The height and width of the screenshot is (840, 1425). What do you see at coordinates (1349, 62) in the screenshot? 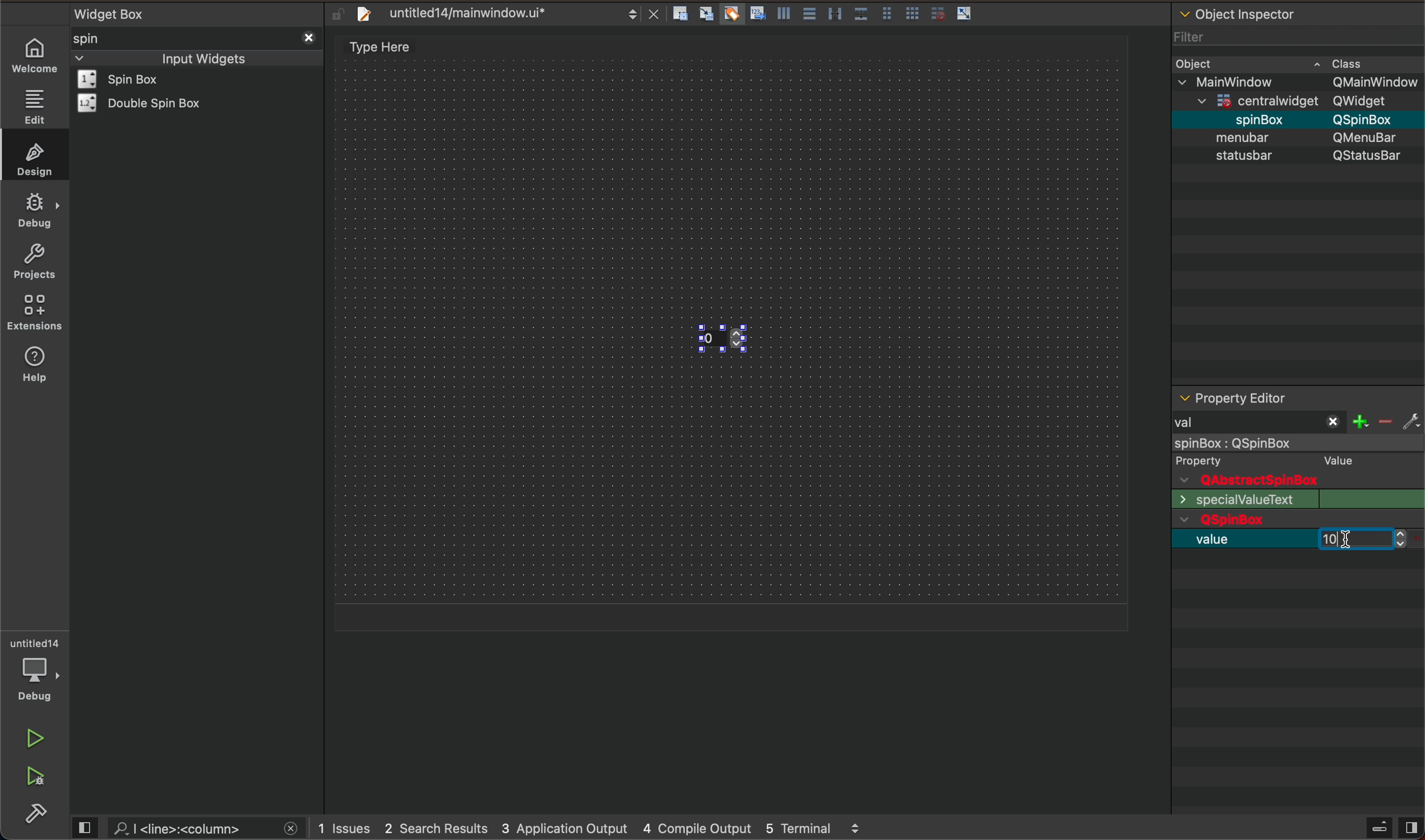
I see `class` at bounding box center [1349, 62].